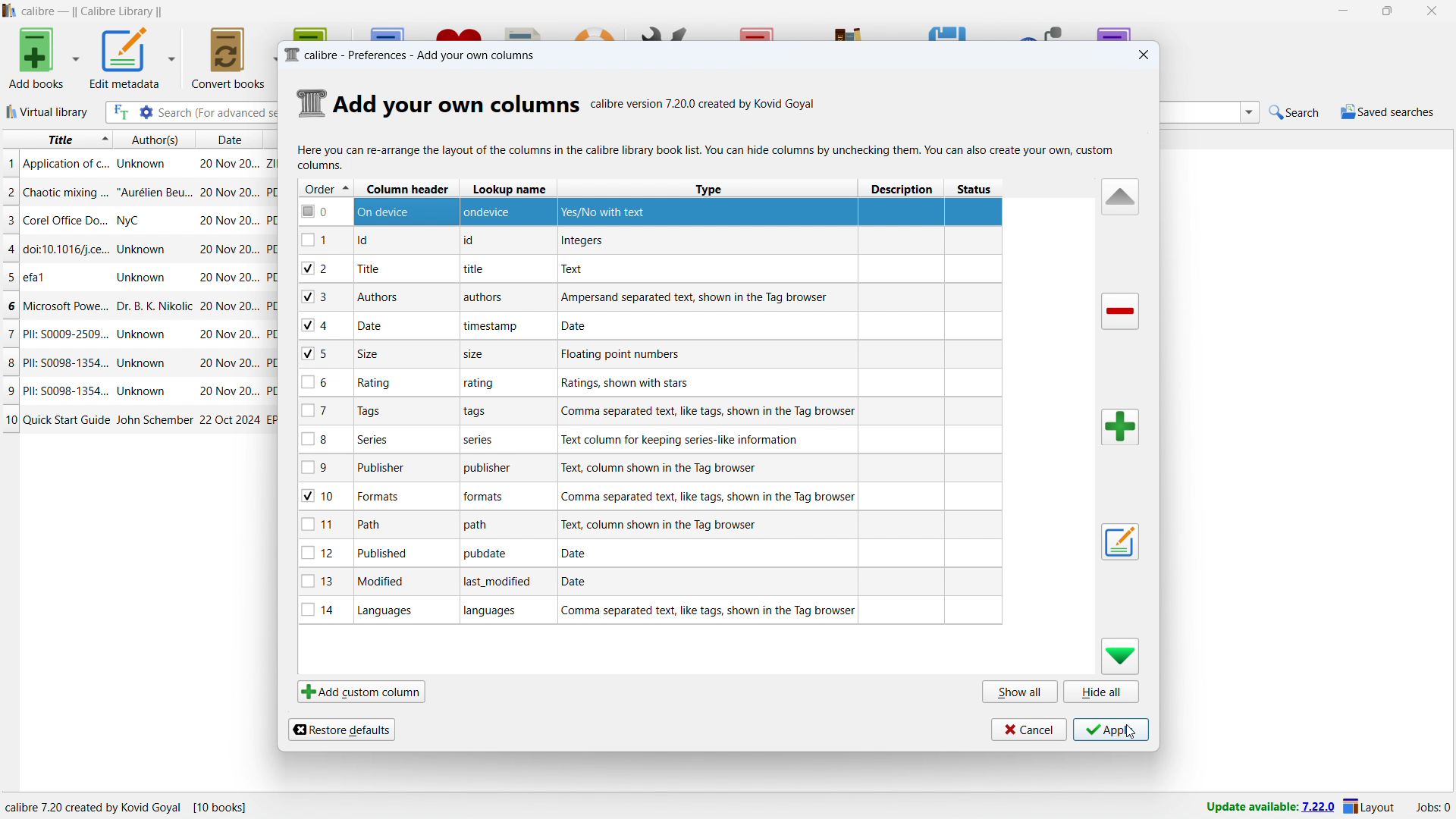 This screenshot has height=819, width=1456. Describe the element at coordinates (1386, 11) in the screenshot. I see `maximize` at that location.